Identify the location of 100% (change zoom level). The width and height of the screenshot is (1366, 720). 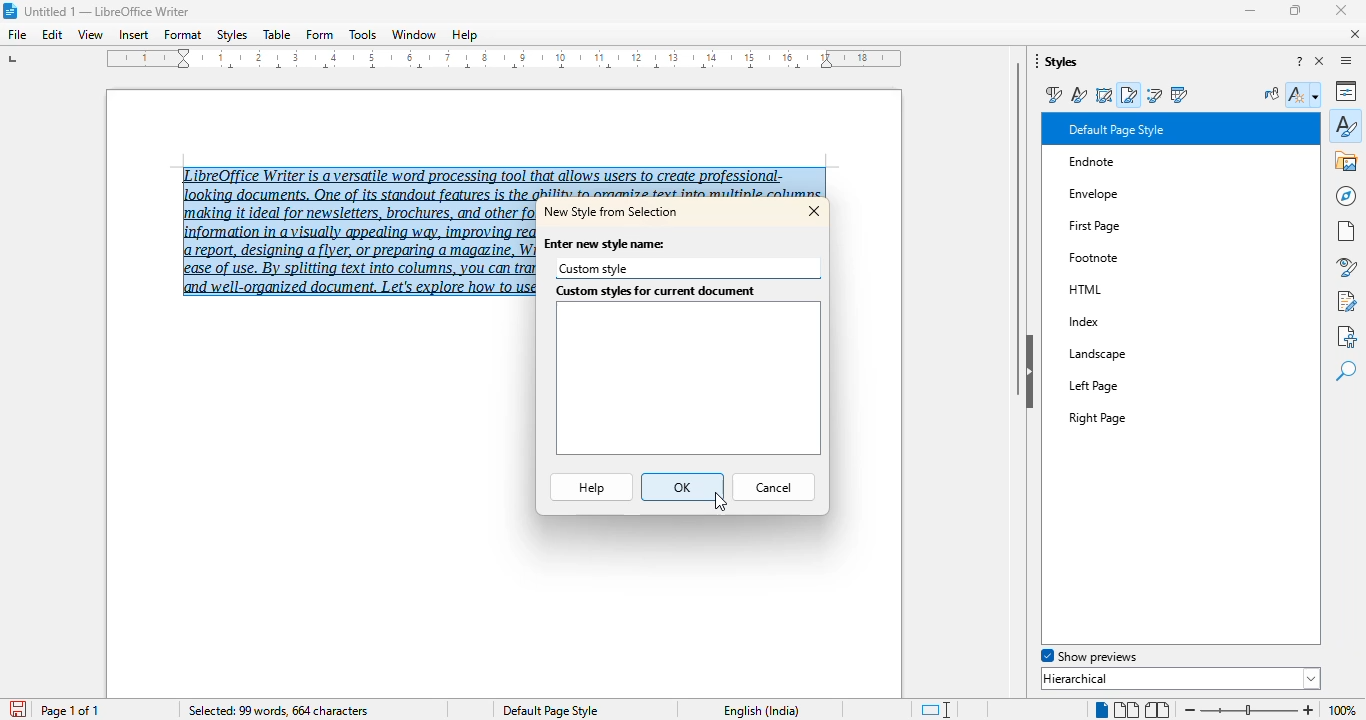
(1345, 711).